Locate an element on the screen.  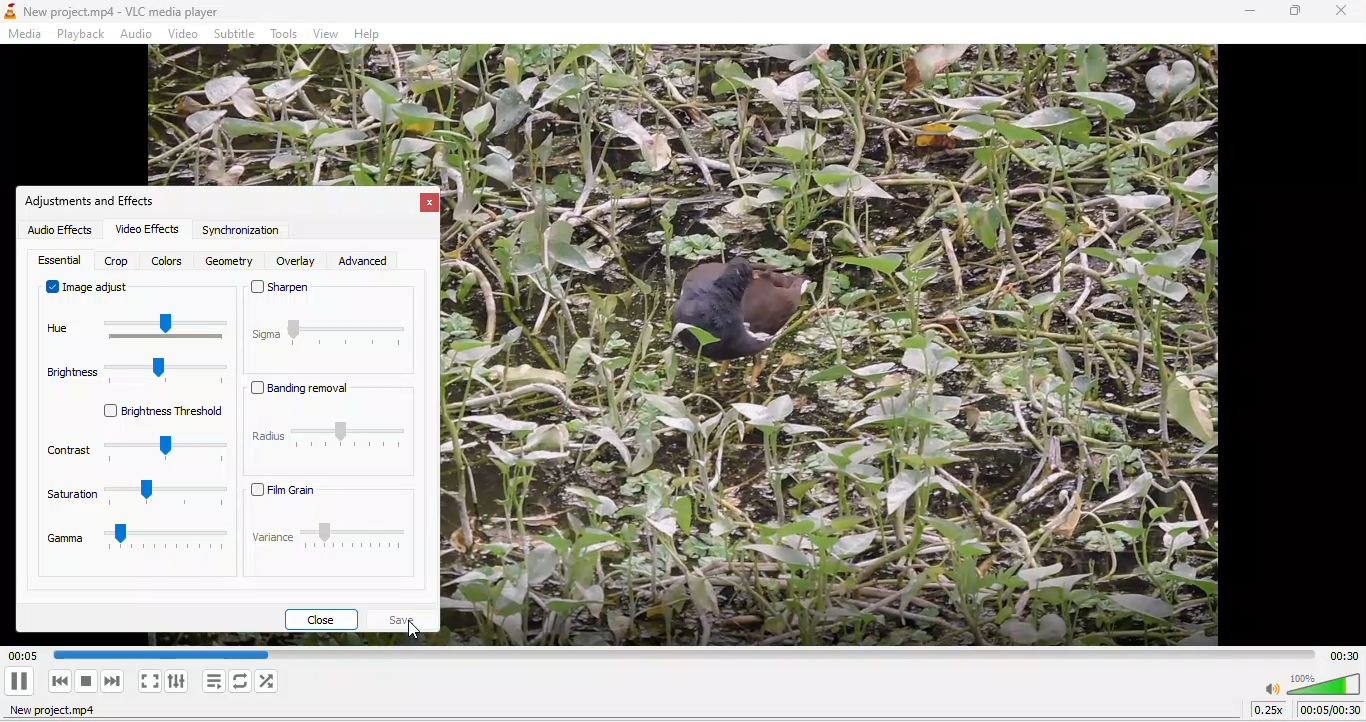
radius is located at coordinates (328, 439).